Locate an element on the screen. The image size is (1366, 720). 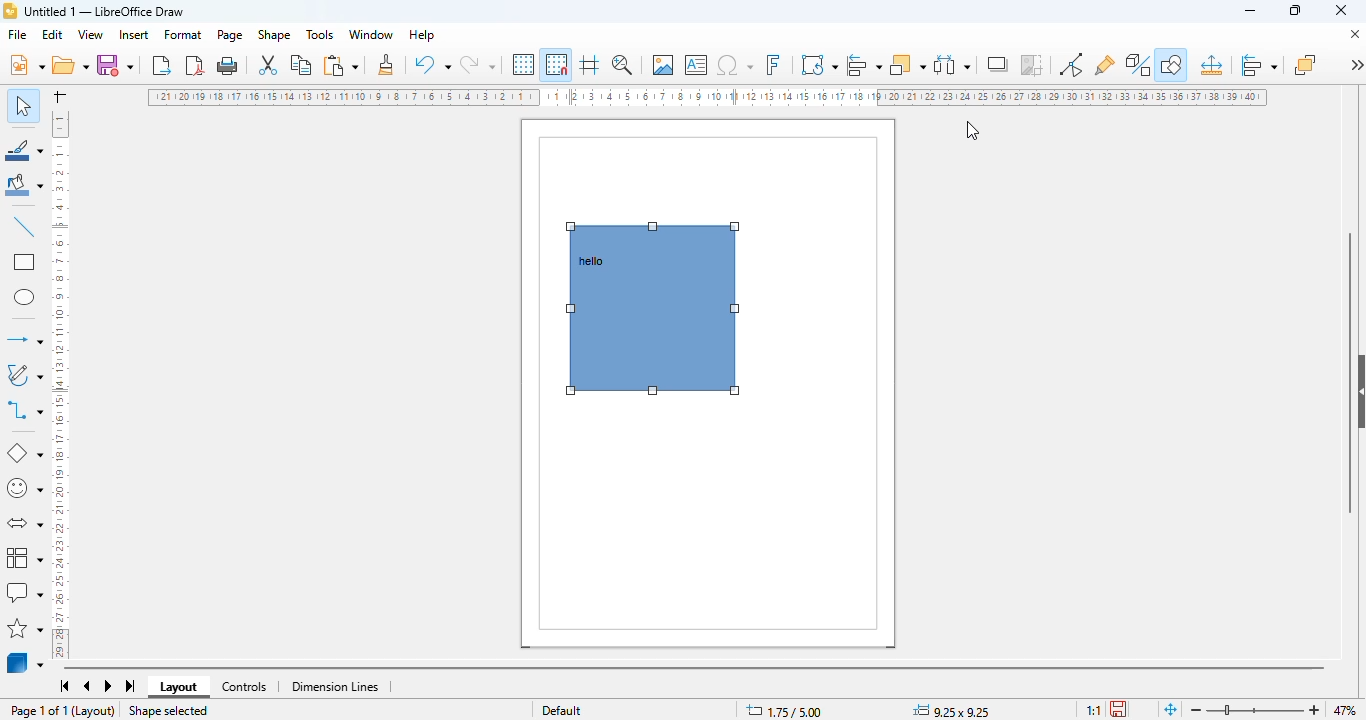
flowchart is located at coordinates (25, 556).